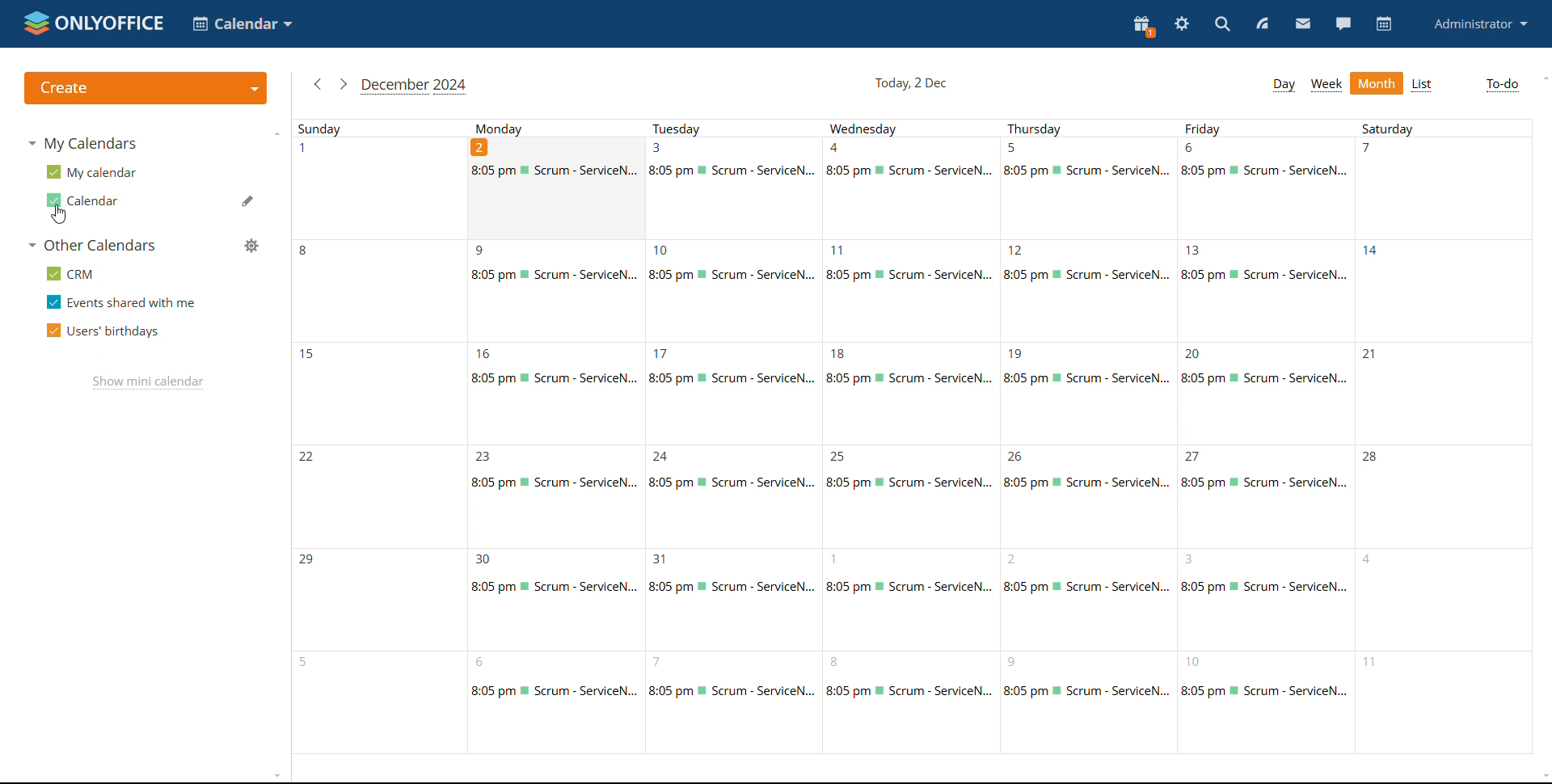 The width and height of the screenshot is (1552, 784). I want to click on monday, so click(561, 130).